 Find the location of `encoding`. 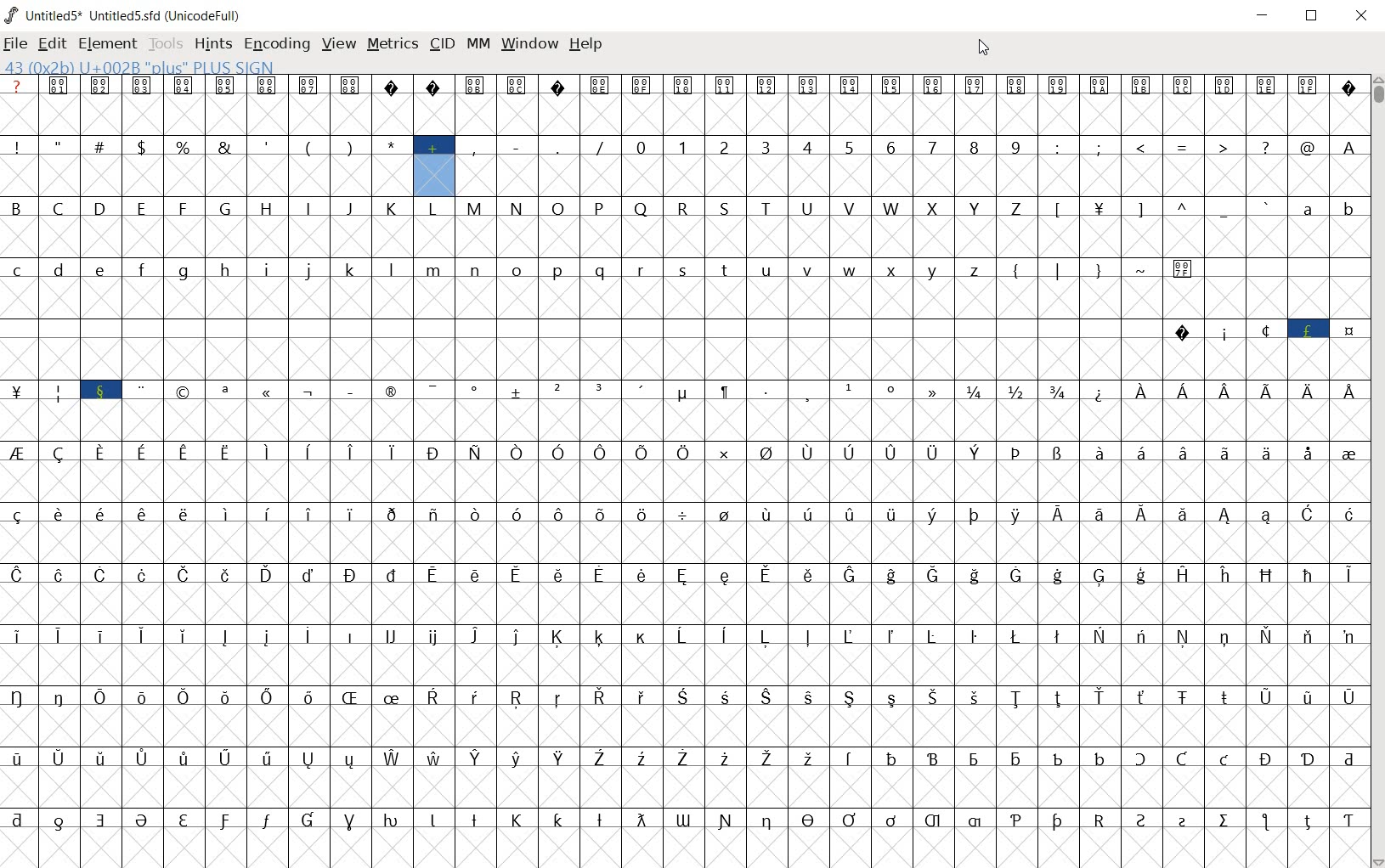

encoding is located at coordinates (274, 43).